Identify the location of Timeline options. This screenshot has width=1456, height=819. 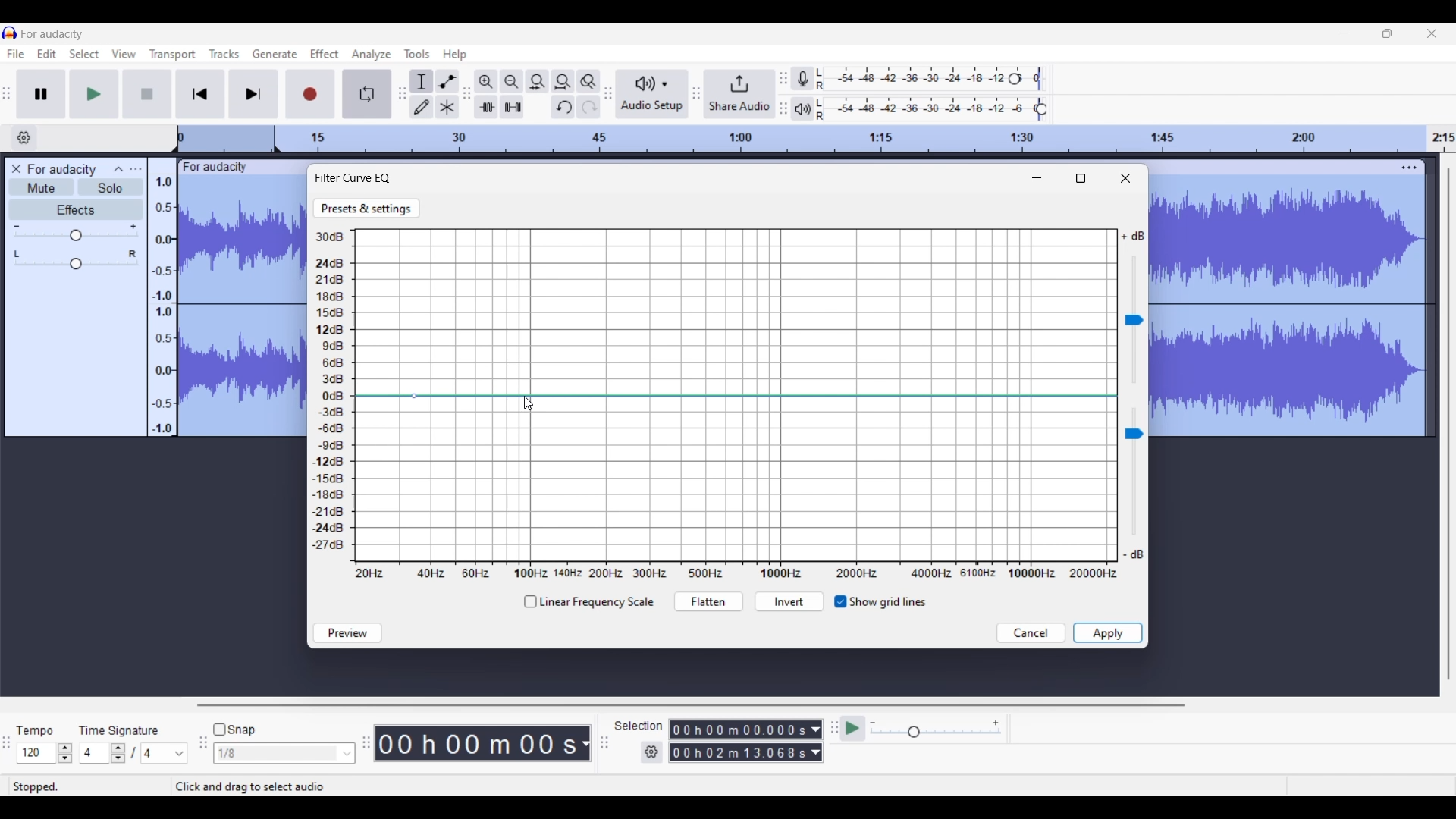
(25, 137).